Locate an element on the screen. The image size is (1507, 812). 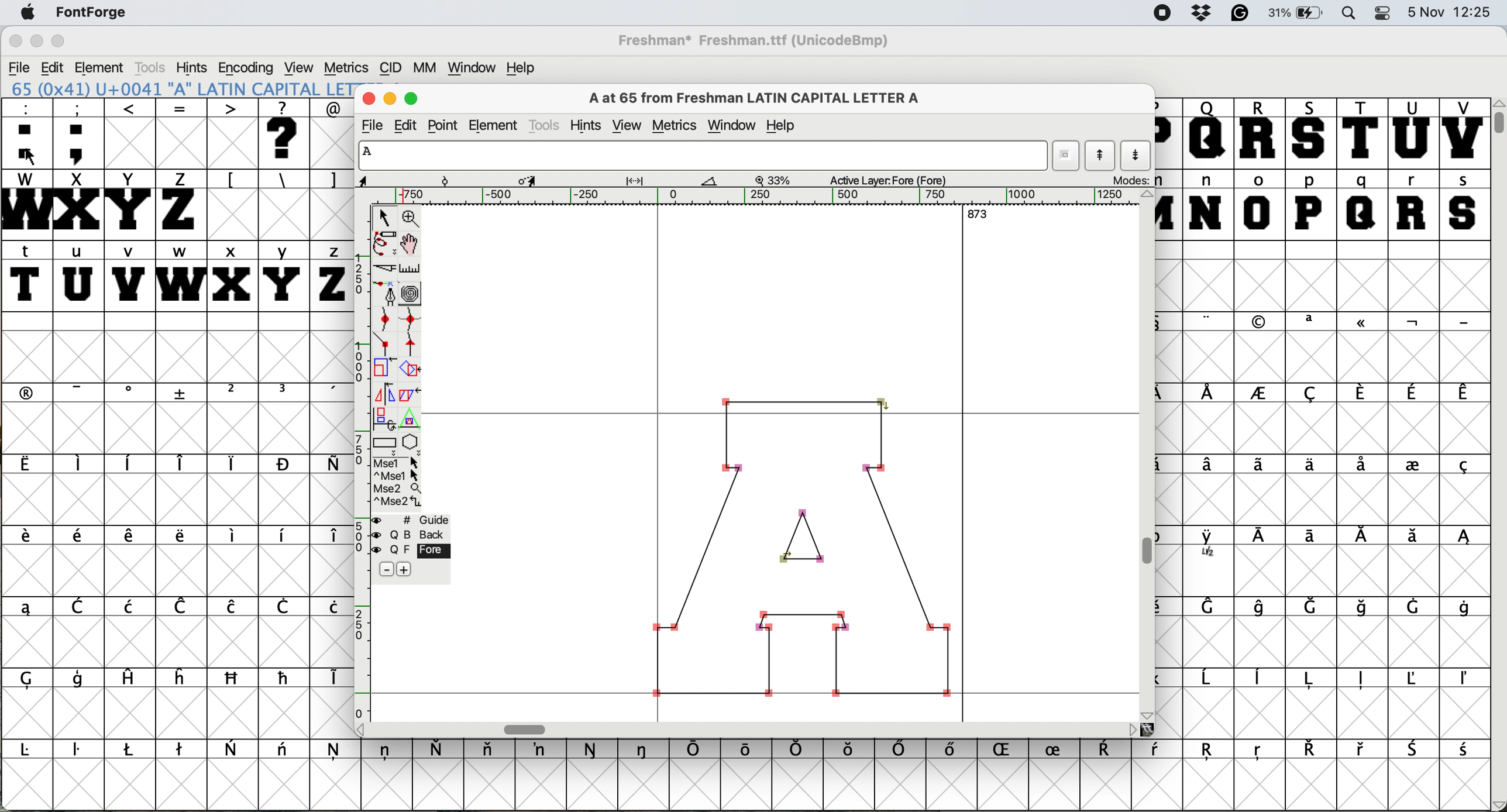
r is located at coordinates (1414, 205).